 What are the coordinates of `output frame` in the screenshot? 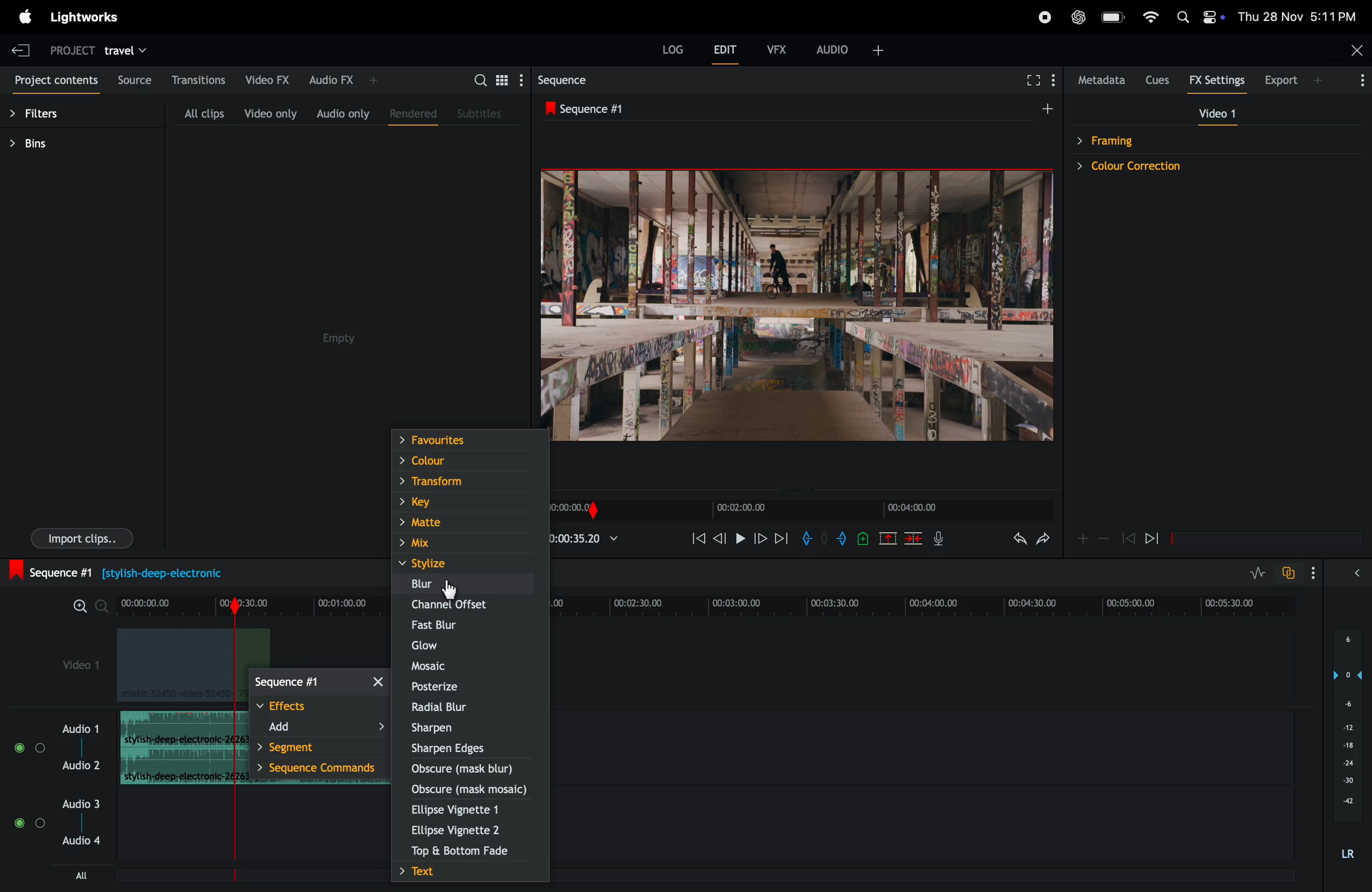 It's located at (800, 312).